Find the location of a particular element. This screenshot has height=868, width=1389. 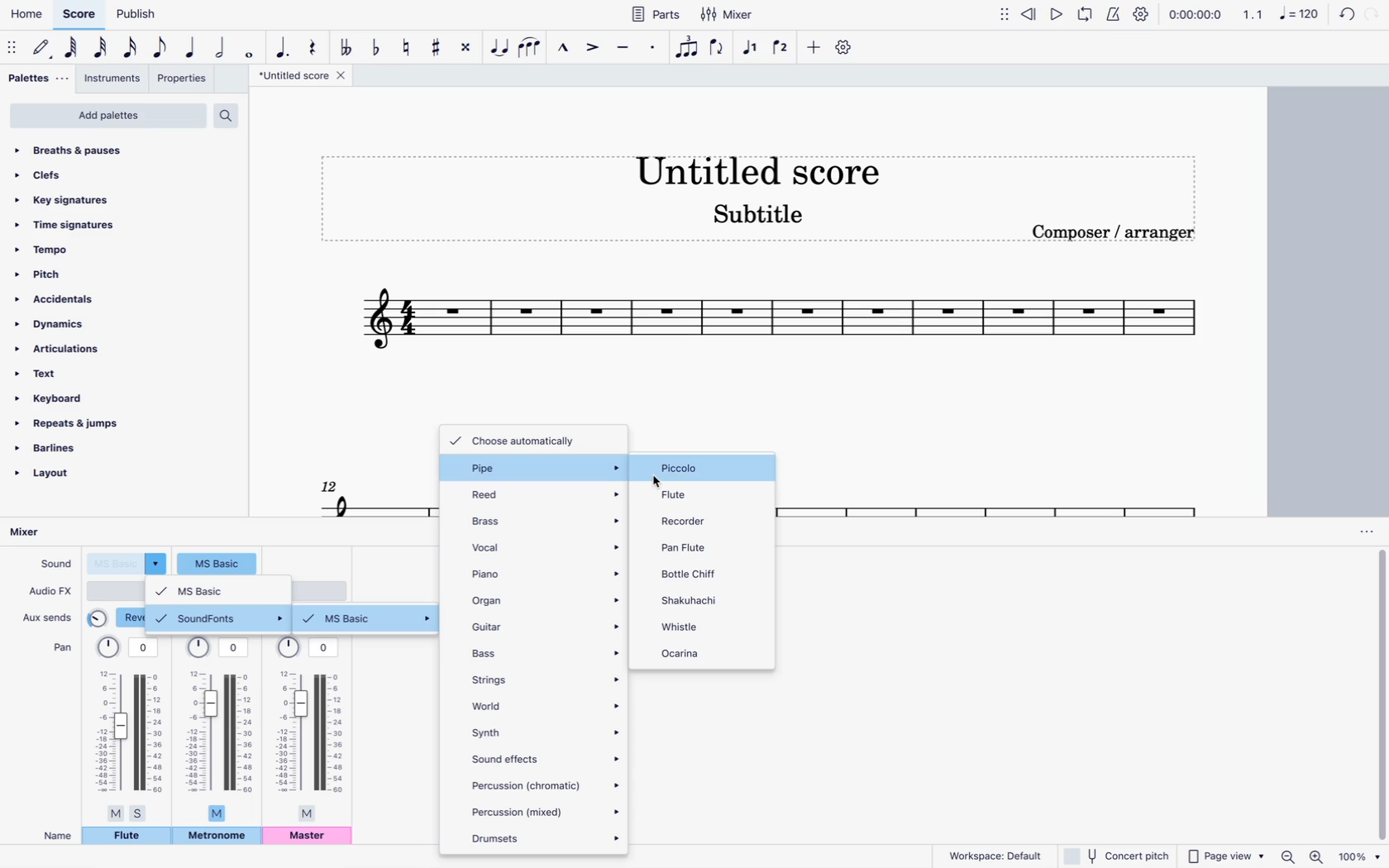

augmentation dot is located at coordinates (283, 45).